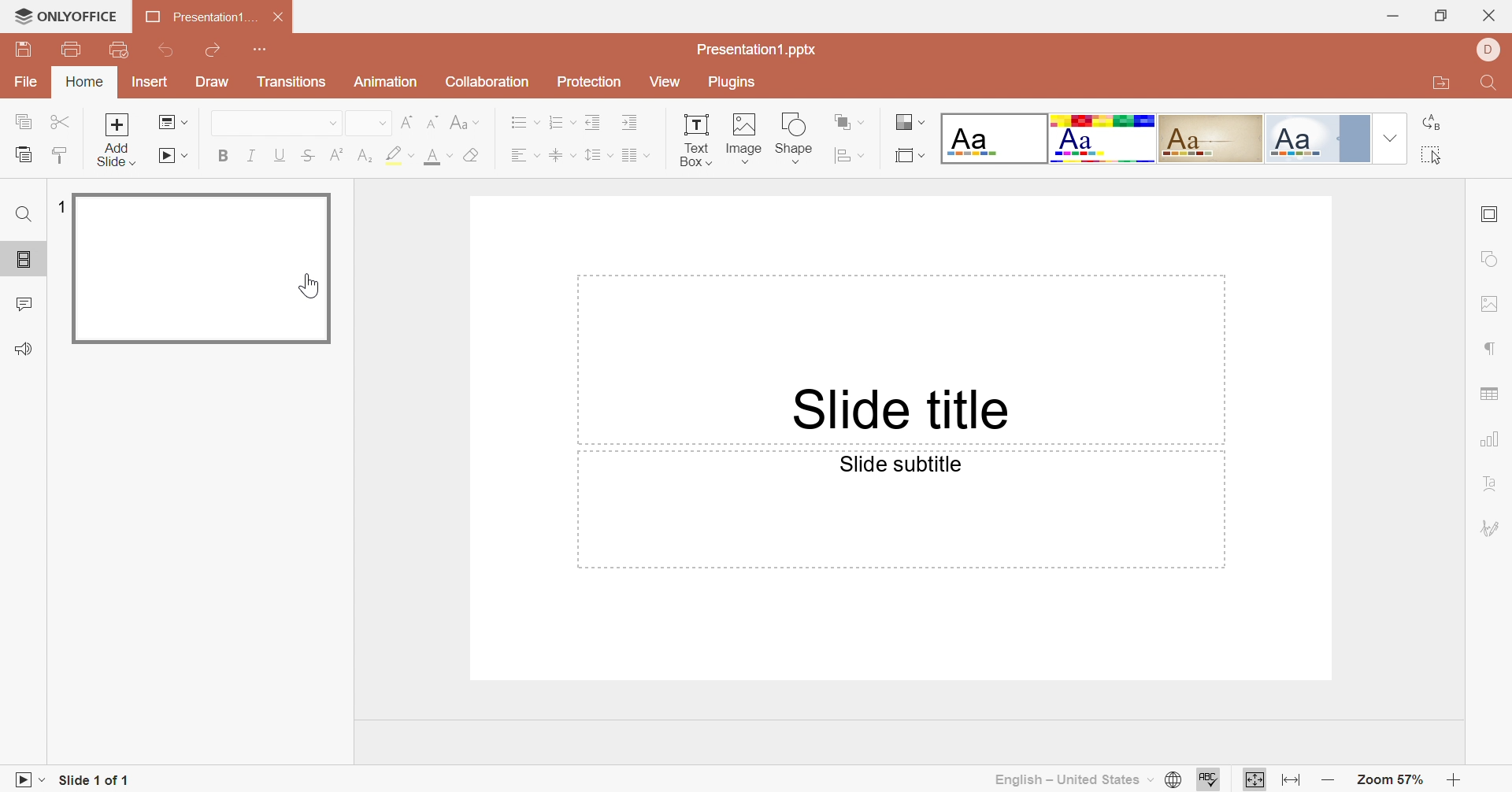  Describe the element at coordinates (610, 154) in the screenshot. I see `Drop Down` at that location.